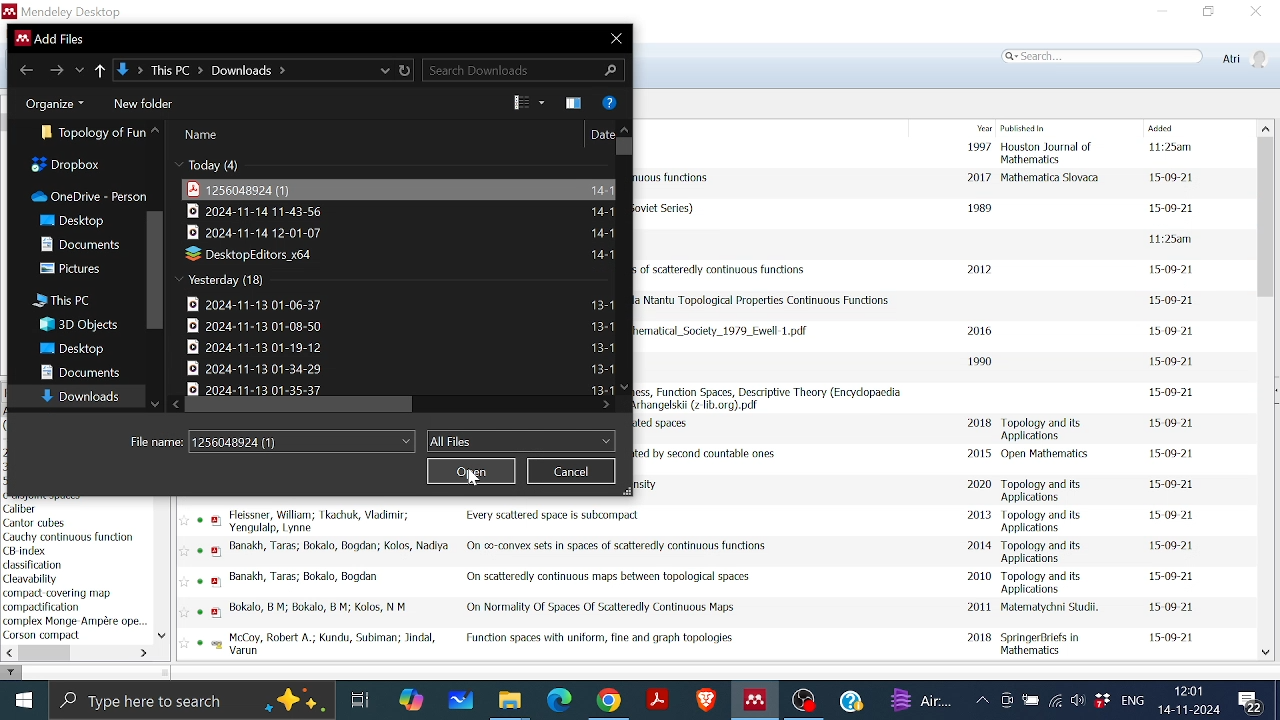 The image size is (1280, 720). Describe the element at coordinates (658, 699) in the screenshot. I see `Adobe reader` at that location.